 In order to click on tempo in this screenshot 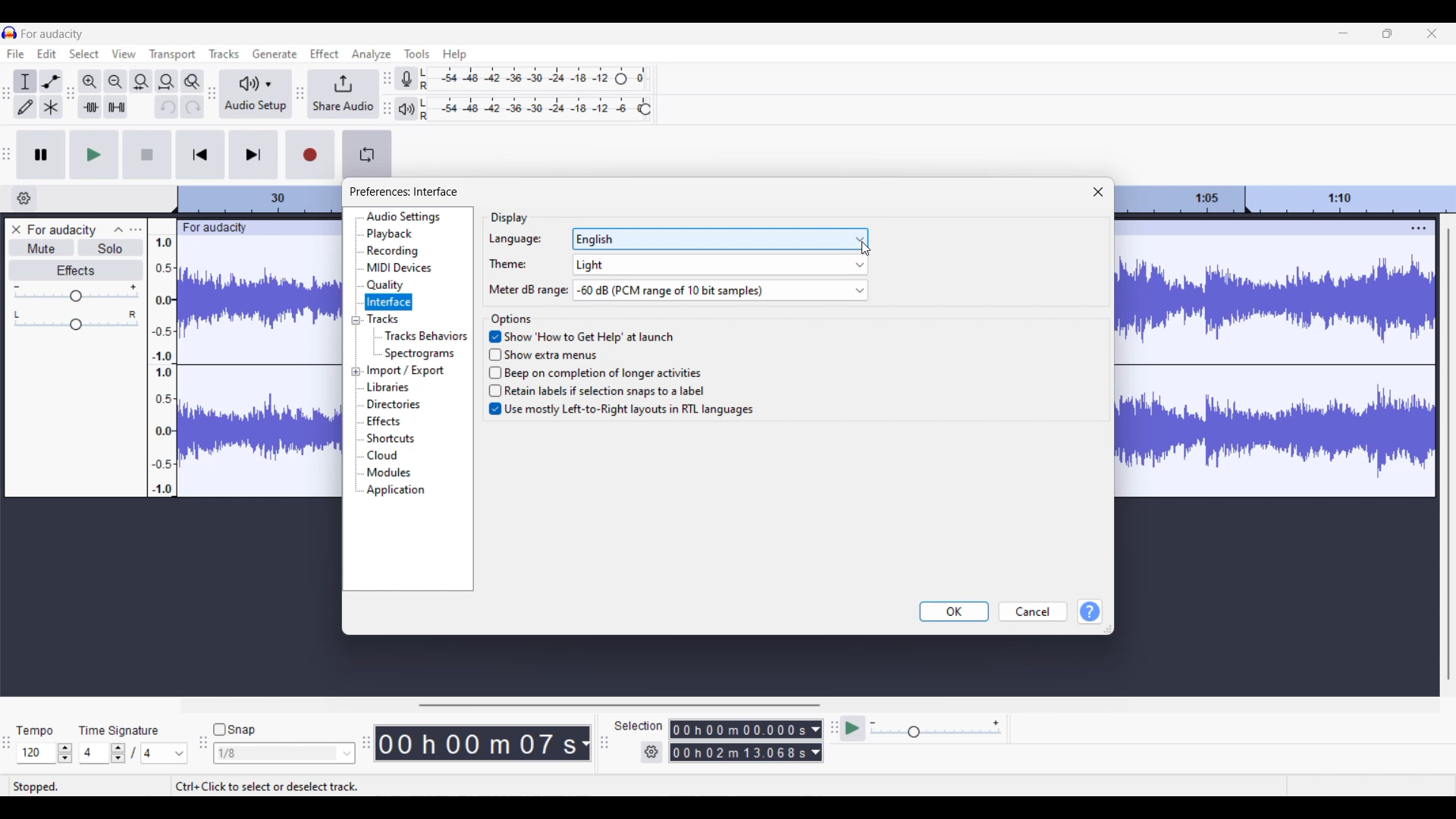, I will do `click(35, 732)`.